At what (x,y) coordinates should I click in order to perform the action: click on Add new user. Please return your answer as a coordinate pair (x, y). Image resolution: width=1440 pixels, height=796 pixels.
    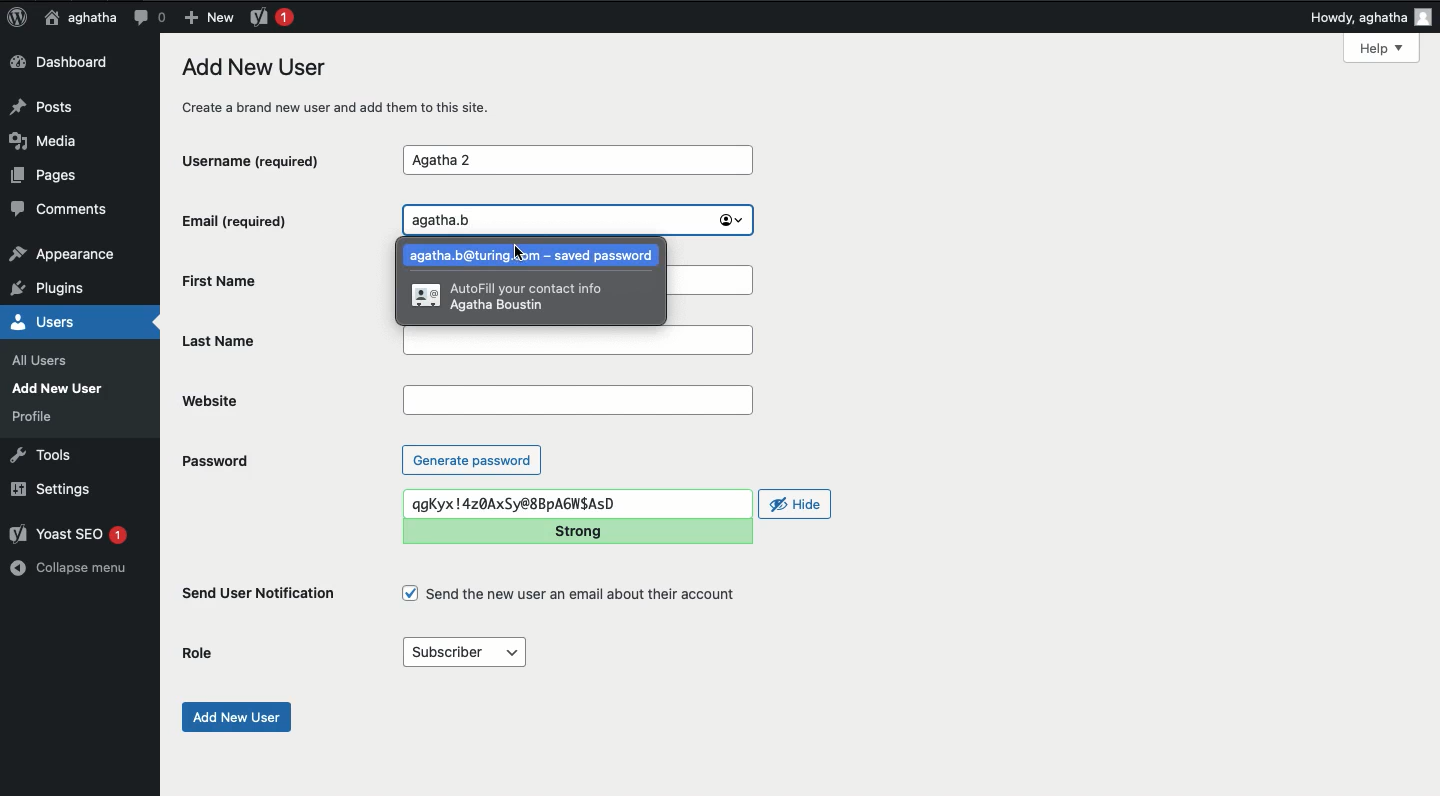
    Looking at the image, I should click on (234, 717).